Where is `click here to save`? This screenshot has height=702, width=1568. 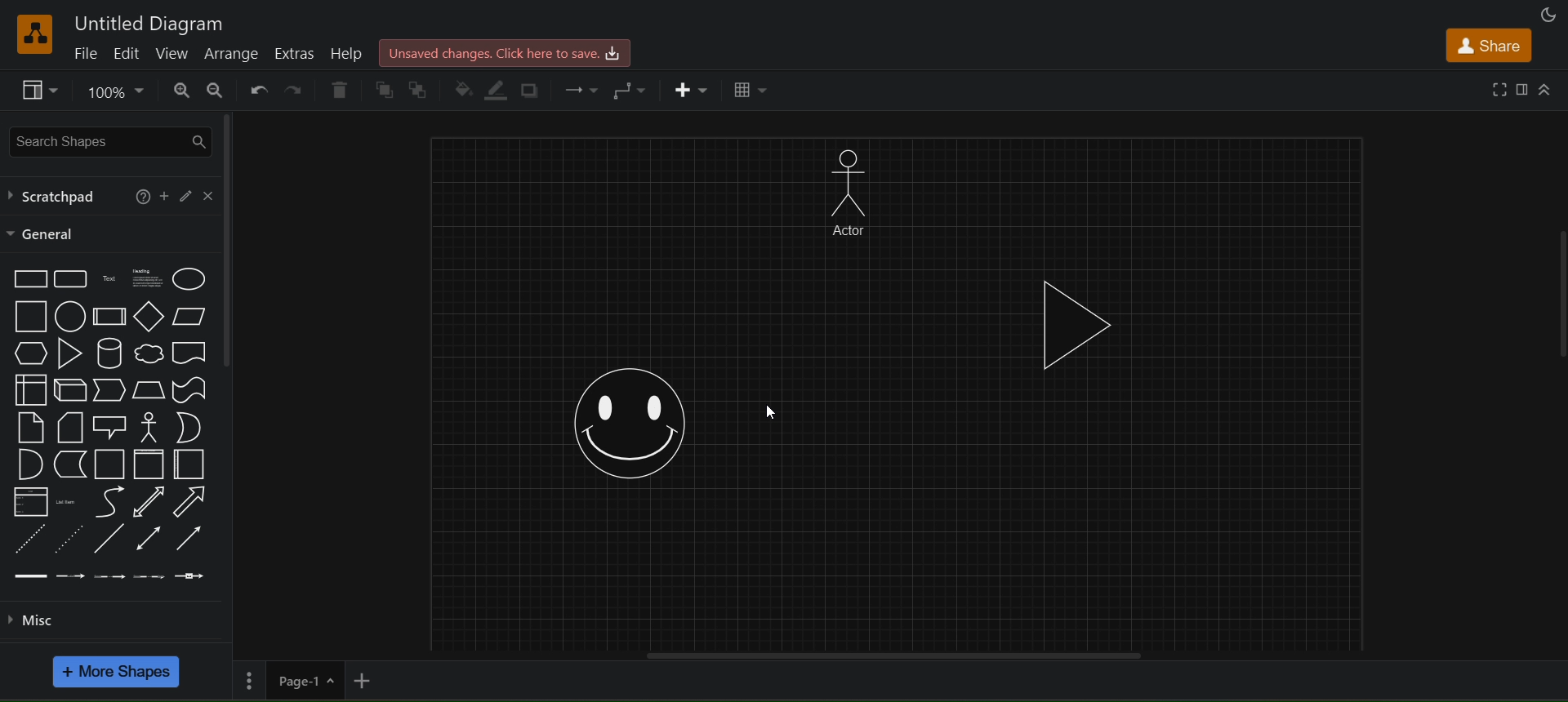
click here to save is located at coordinates (502, 53).